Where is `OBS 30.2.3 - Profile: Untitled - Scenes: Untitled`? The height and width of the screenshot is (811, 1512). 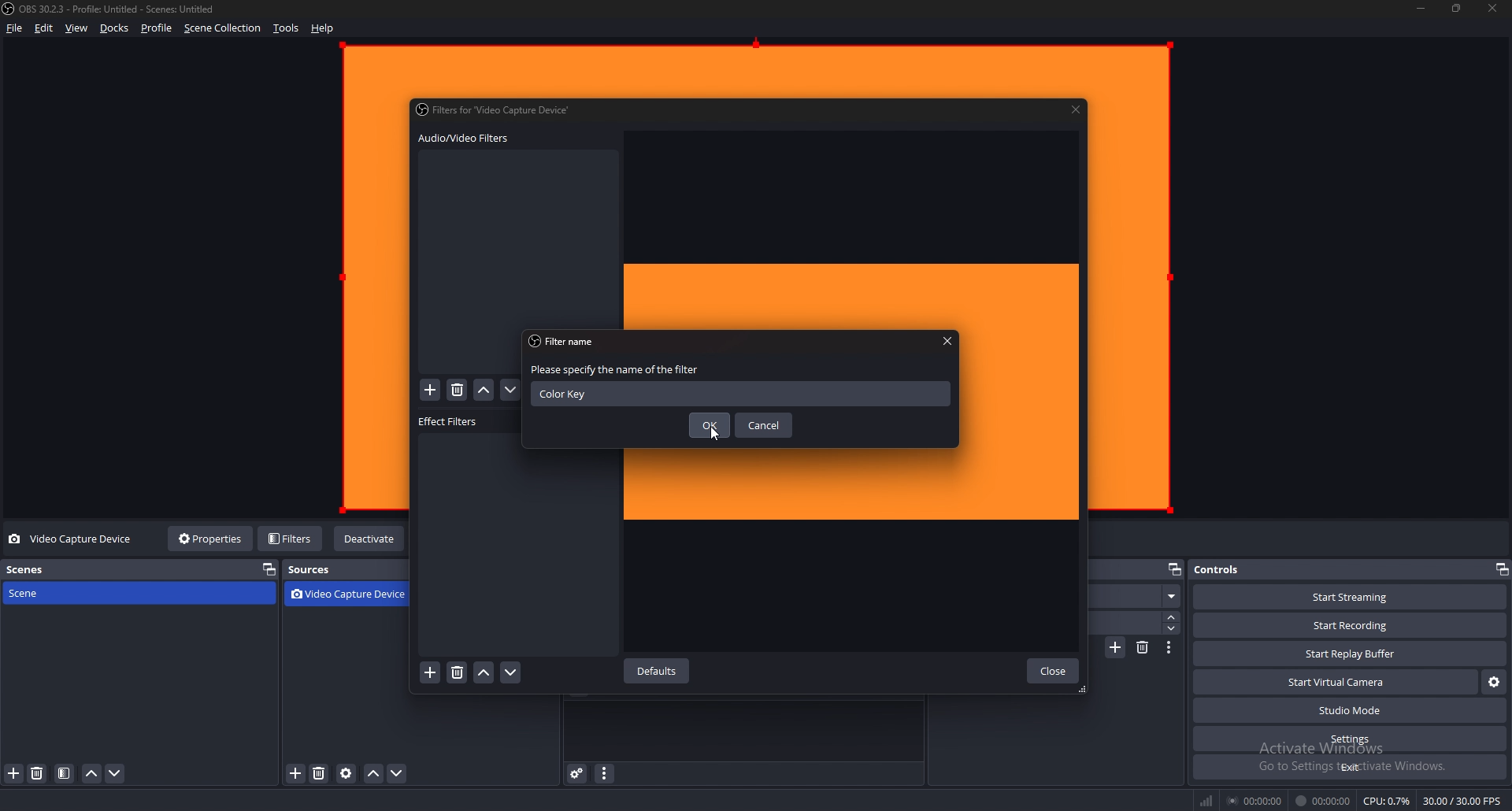 OBS 30.2.3 - Profile: Untitled - Scenes: Untitled is located at coordinates (122, 10).